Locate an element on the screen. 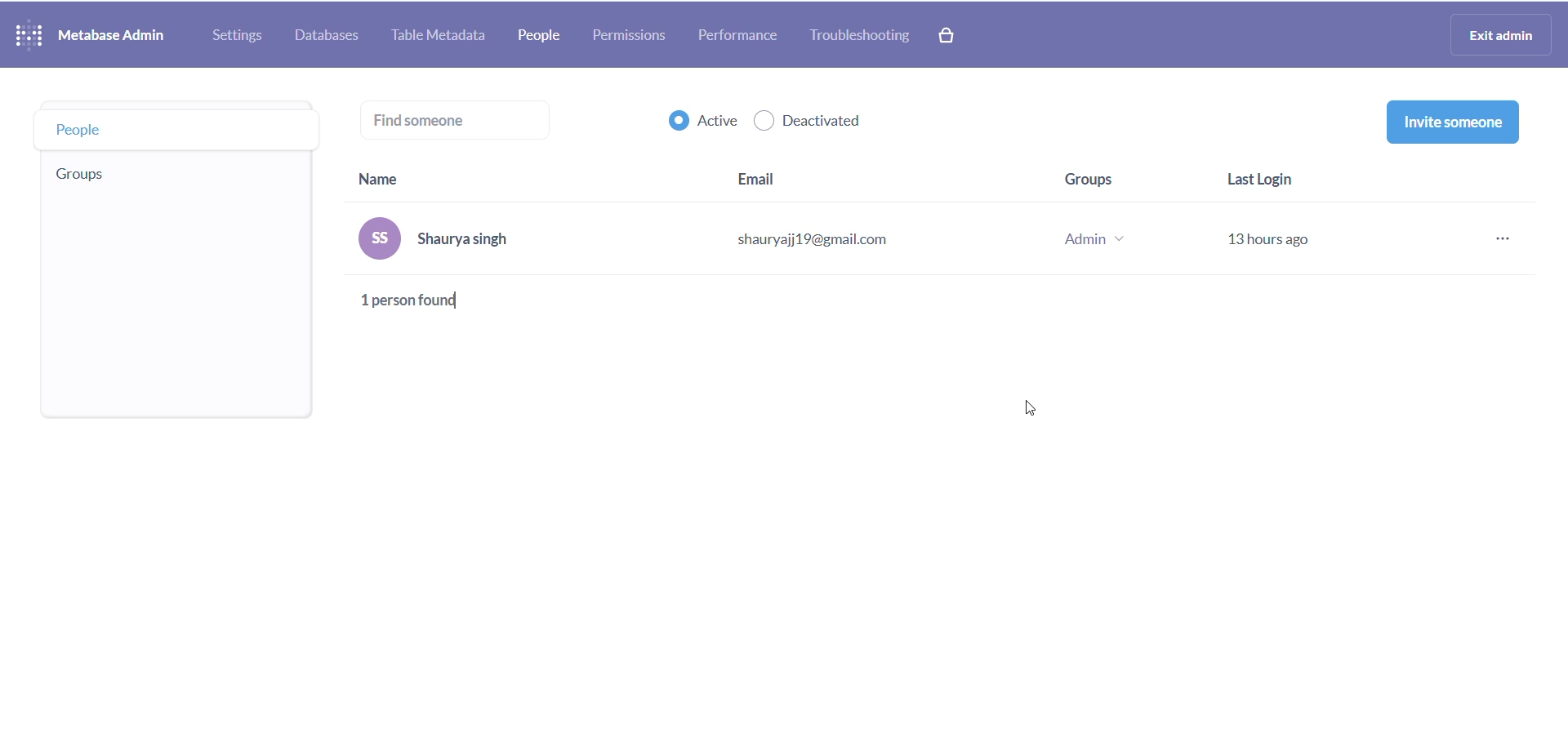 The image size is (1568, 743). email heading is located at coordinates (755, 180).